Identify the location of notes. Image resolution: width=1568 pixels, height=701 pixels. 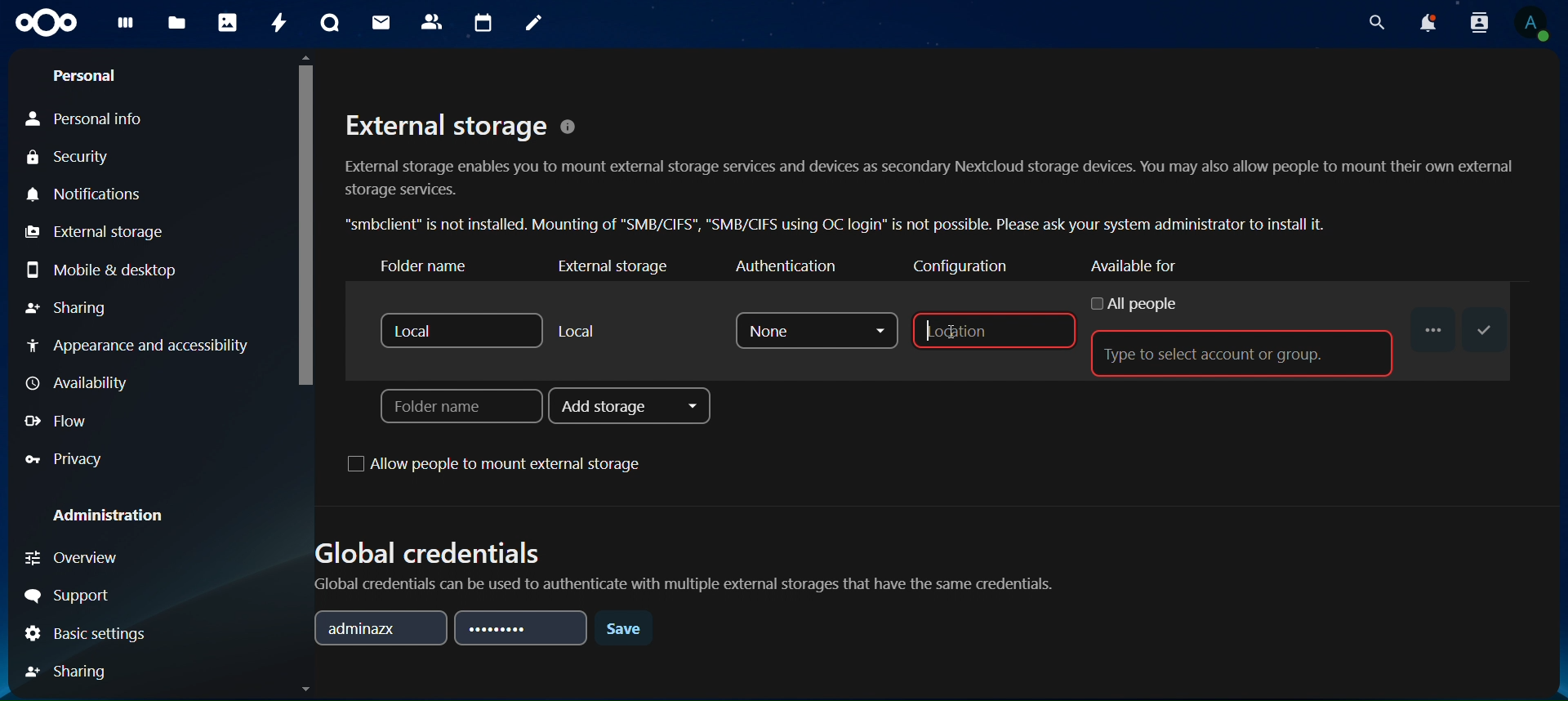
(532, 23).